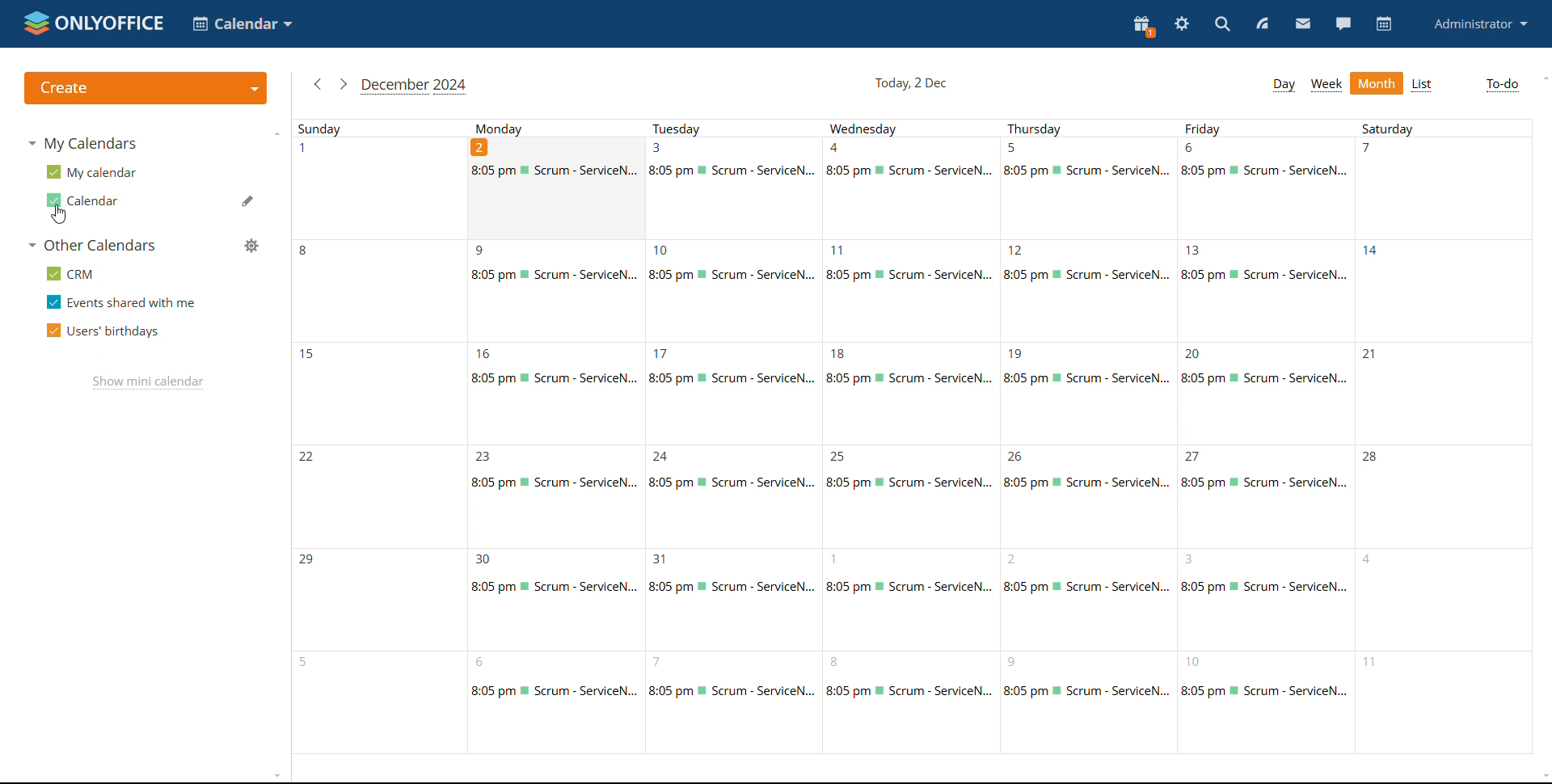  Describe the element at coordinates (1090, 190) in the screenshot. I see `5` at that location.